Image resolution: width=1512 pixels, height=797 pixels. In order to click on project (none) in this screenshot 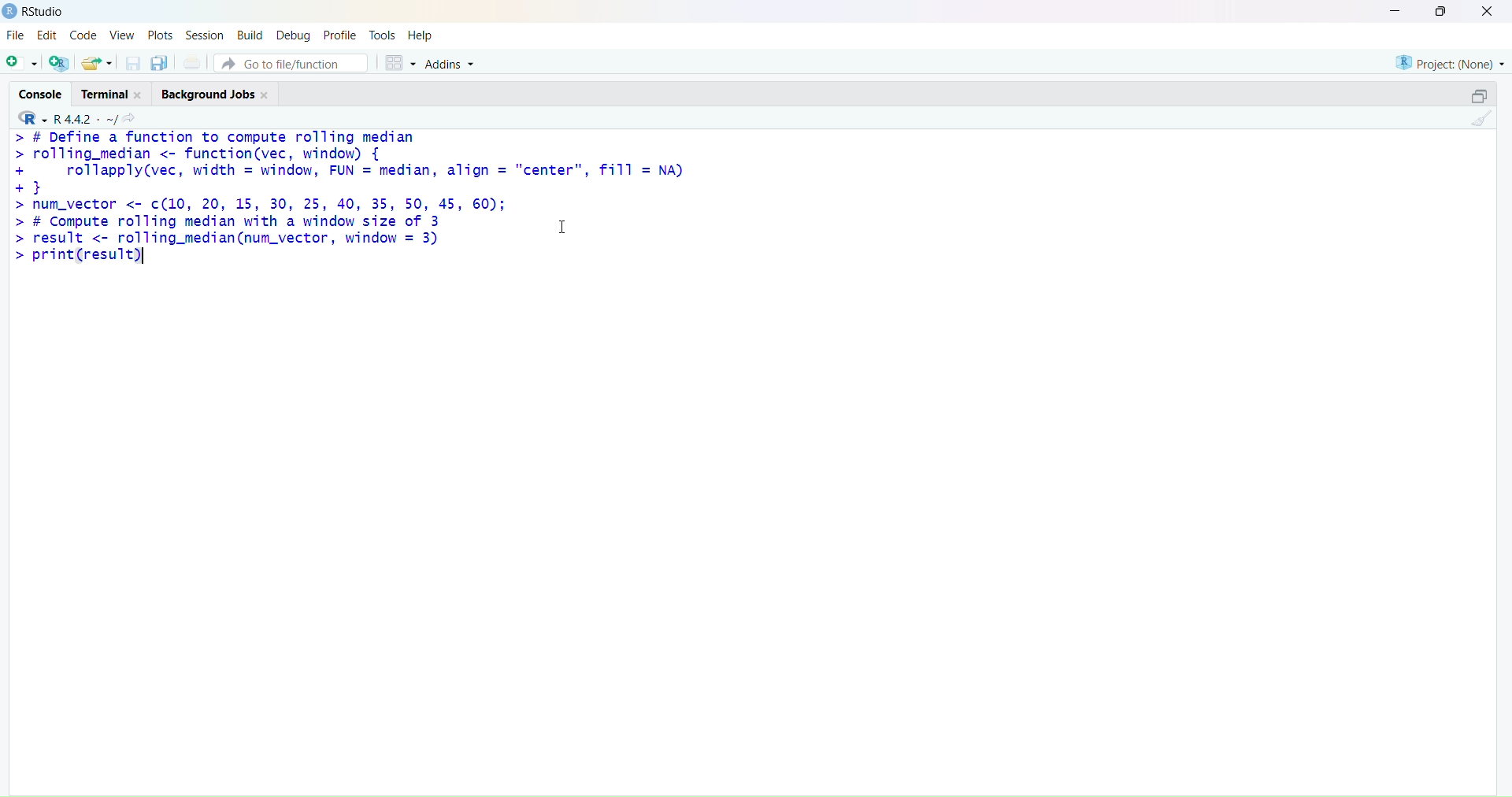, I will do `click(1450, 63)`.